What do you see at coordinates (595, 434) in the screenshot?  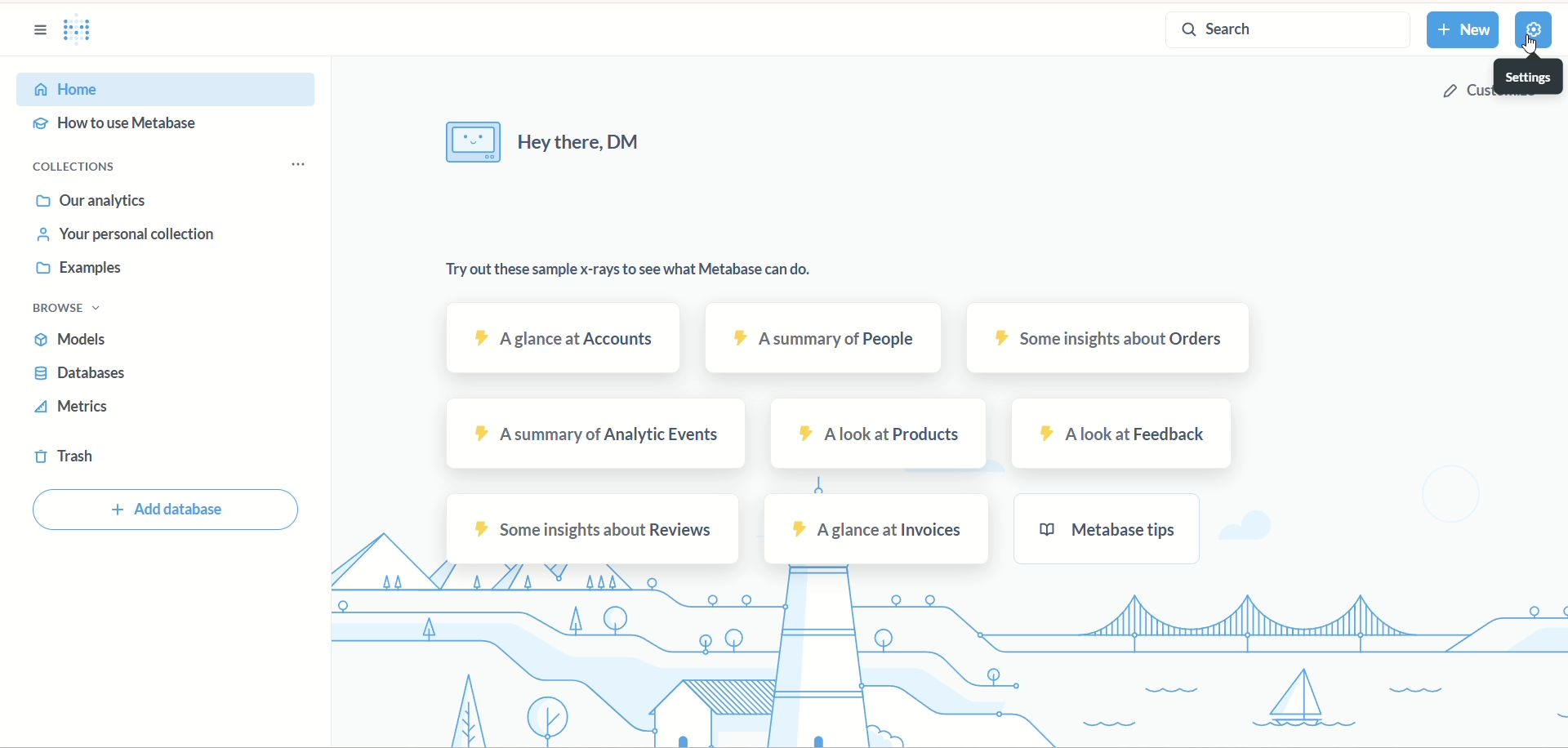 I see `analytic events` at bounding box center [595, 434].